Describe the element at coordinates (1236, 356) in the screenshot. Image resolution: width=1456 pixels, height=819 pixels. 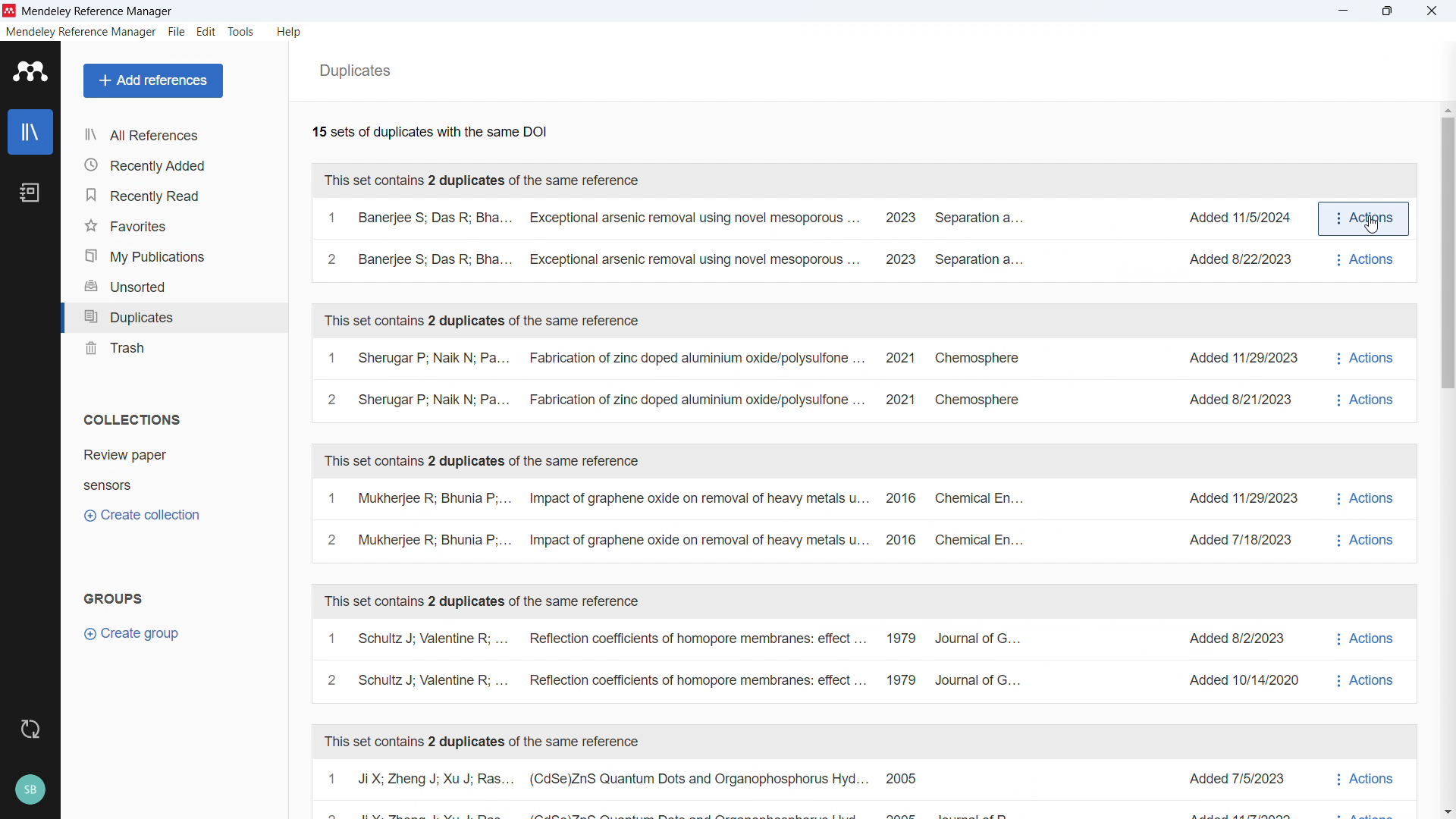
I see `Added 11/29/2023` at that location.